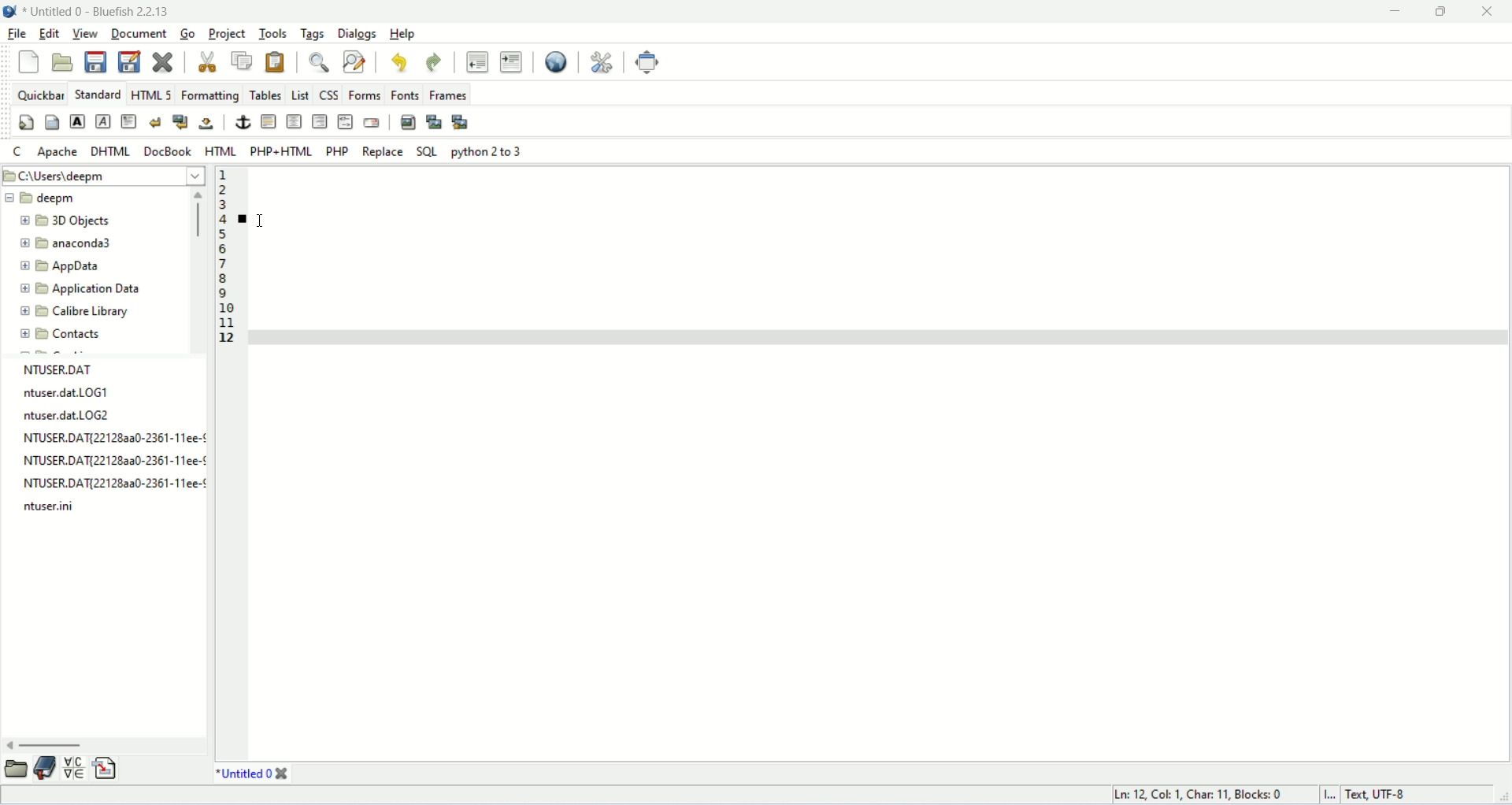  I want to click on edit preferences, so click(603, 62).